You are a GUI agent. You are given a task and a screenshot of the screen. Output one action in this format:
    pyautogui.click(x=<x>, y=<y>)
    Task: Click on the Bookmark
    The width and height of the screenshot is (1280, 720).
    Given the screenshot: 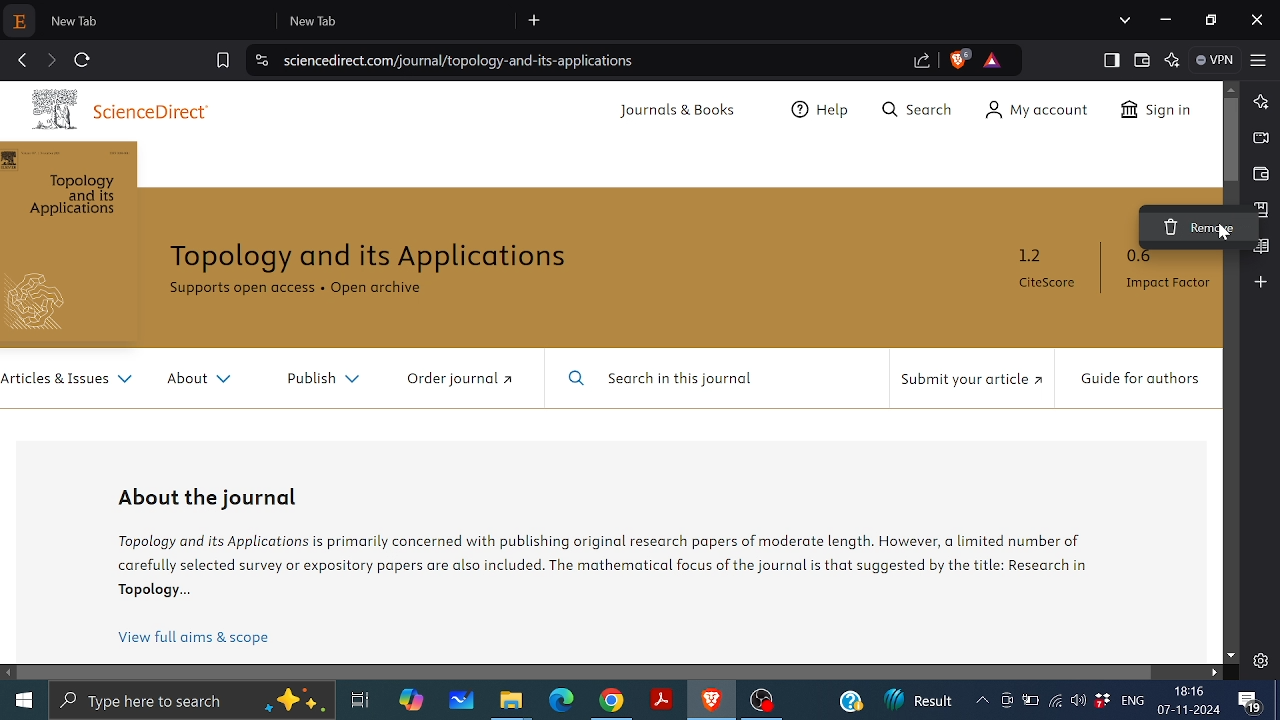 What is the action you would take?
    pyautogui.click(x=1260, y=211)
    